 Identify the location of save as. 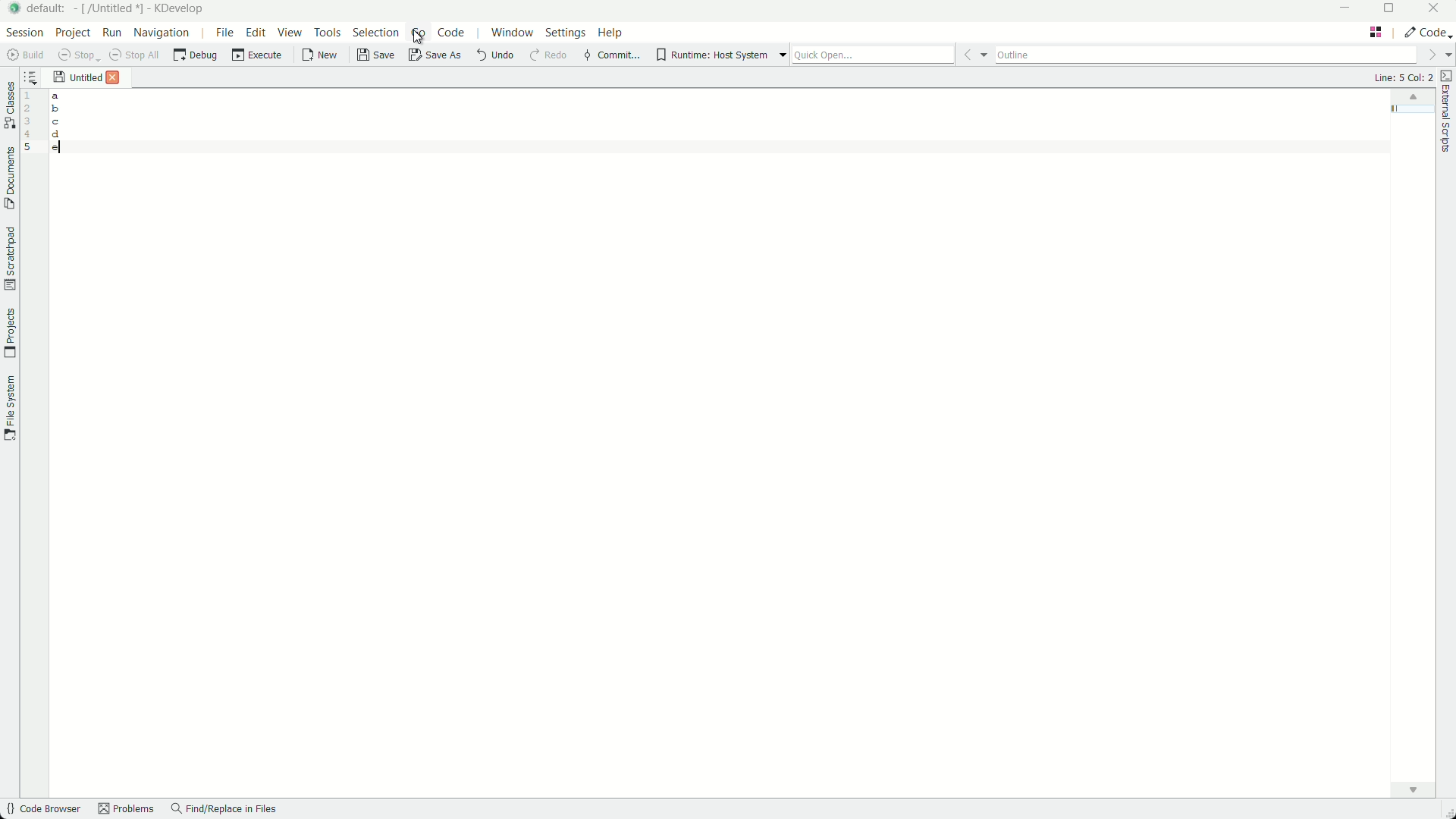
(434, 58).